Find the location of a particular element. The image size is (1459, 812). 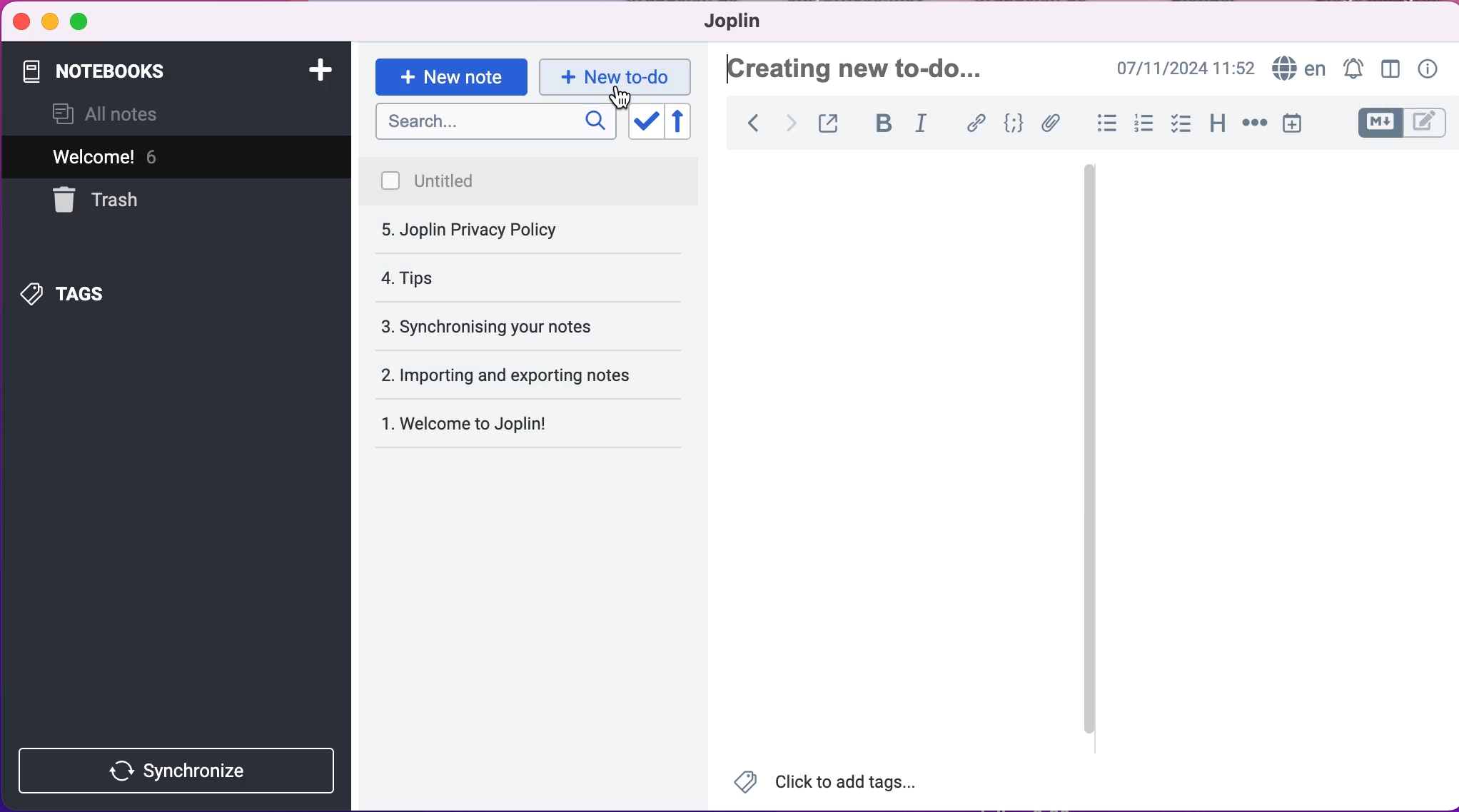

new to-do is located at coordinates (620, 76).